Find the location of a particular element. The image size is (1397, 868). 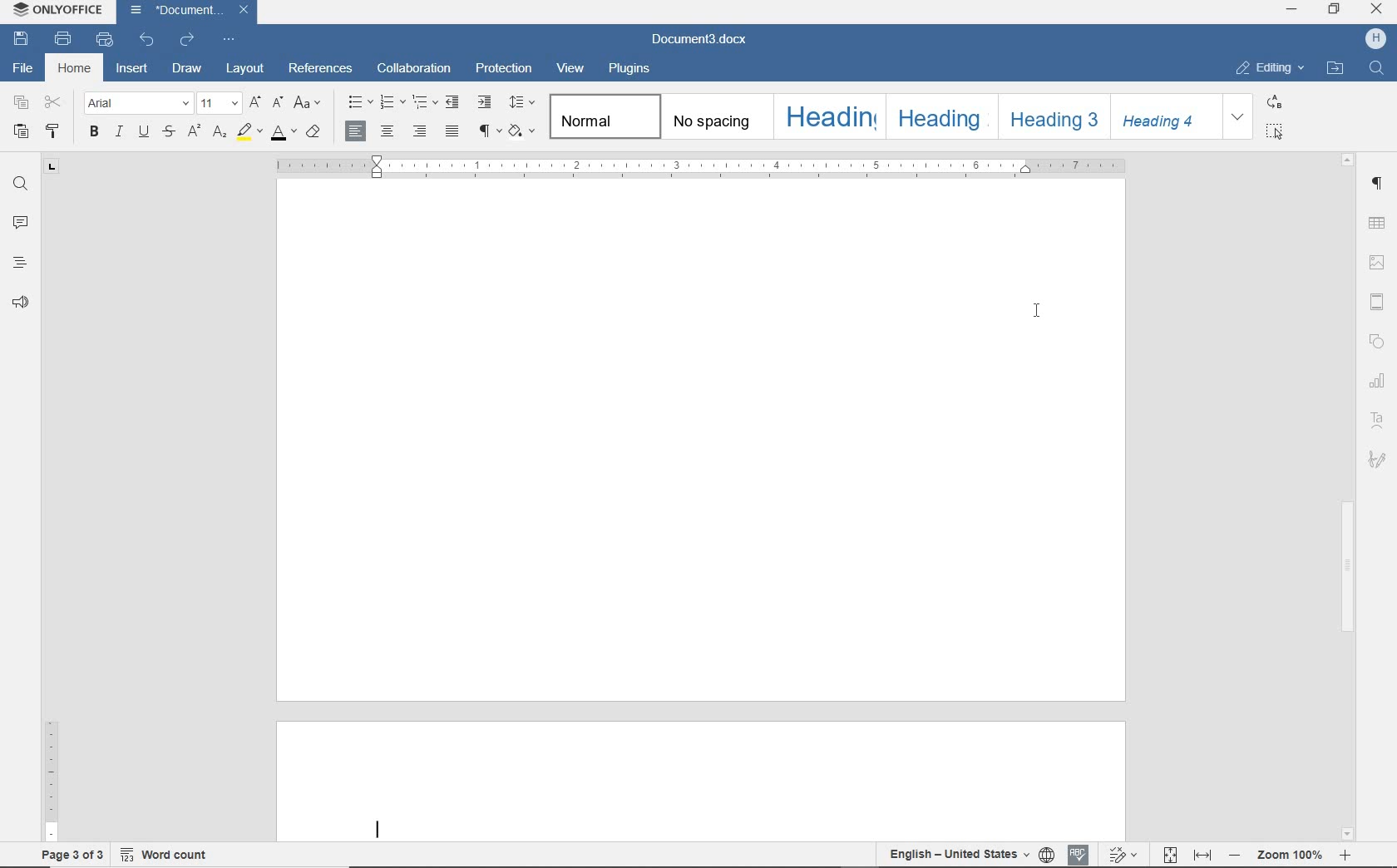

OnlyOffice is located at coordinates (56, 11).